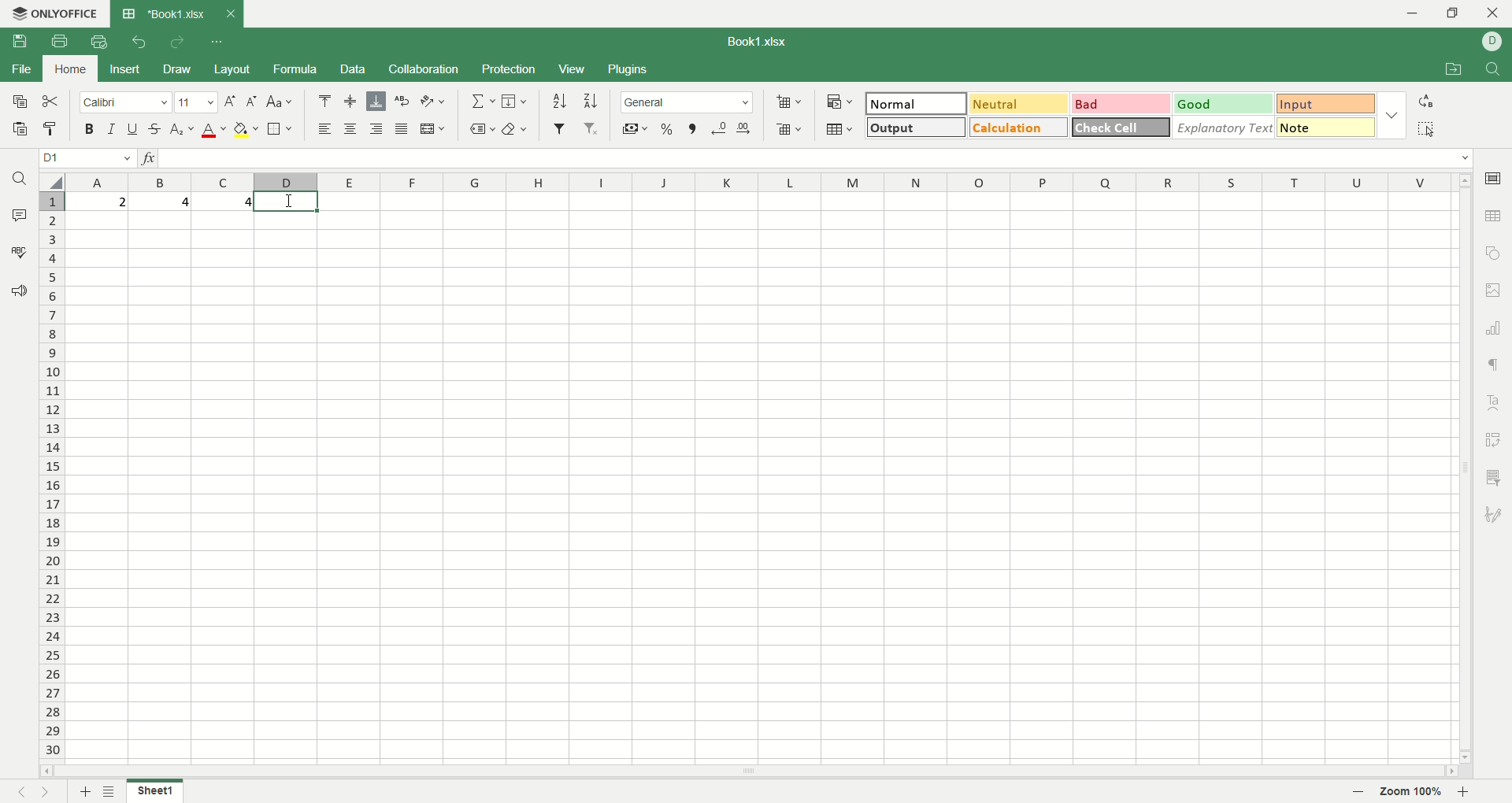 Image resolution: width=1512 pixels, height=803 pixels. What do you see at coordinates (112, 128) in the screenshot?
I see `italics` at bounding box center [112, 128].